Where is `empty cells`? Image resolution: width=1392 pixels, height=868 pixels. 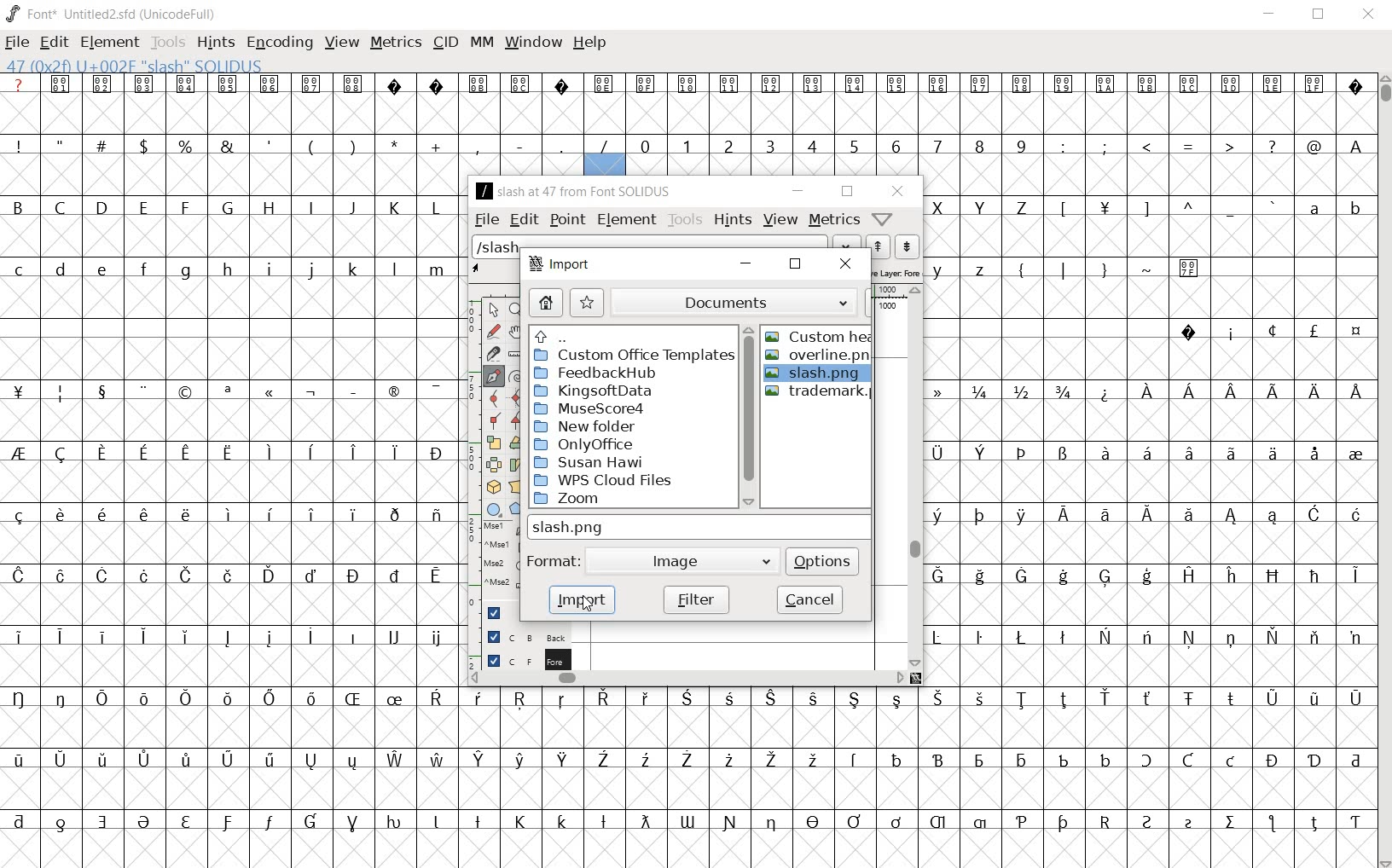
empty cells is located at coordinates (233, 667).